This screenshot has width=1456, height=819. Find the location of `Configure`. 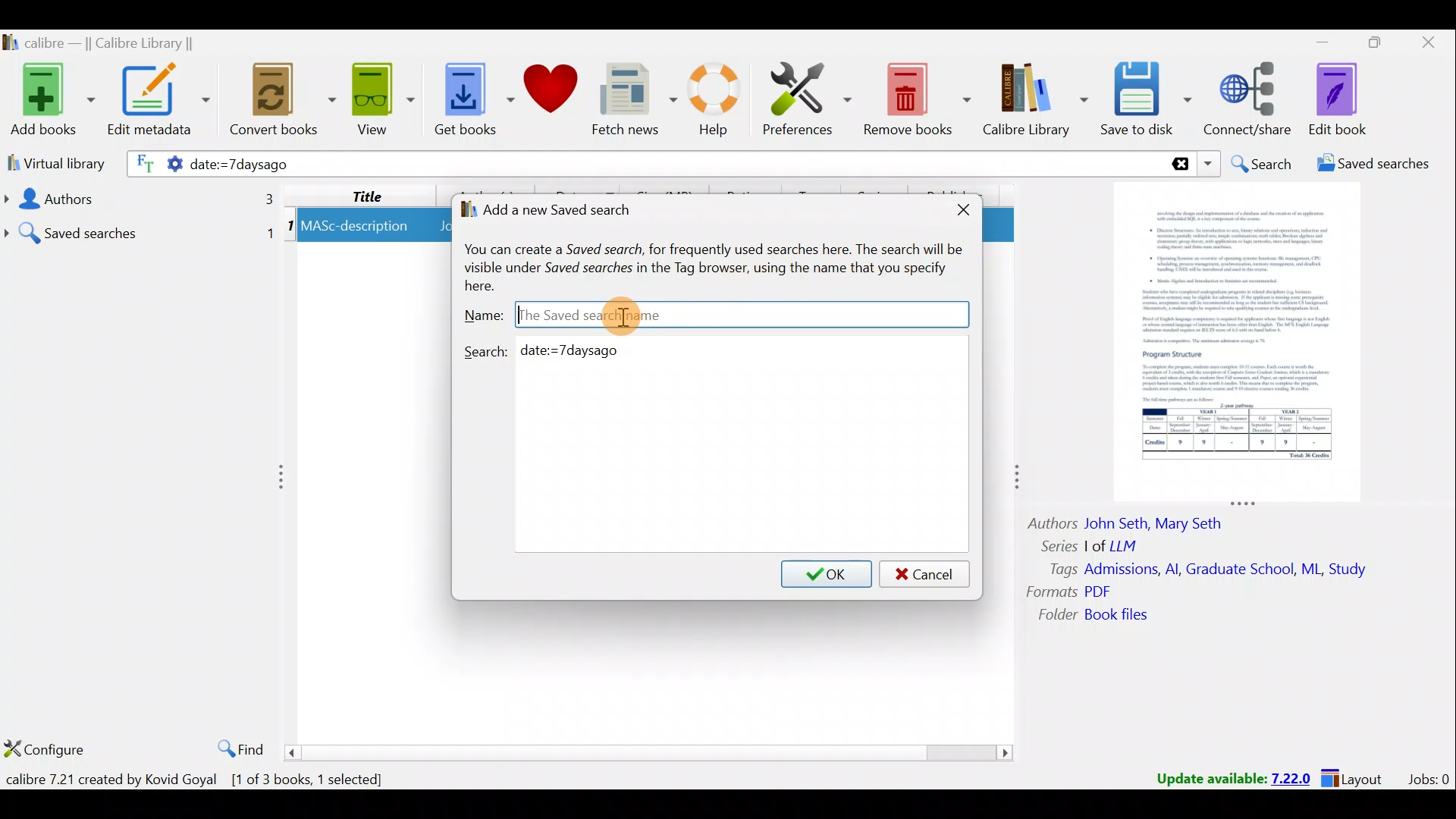

Configure is located at coordinates (45, 749).